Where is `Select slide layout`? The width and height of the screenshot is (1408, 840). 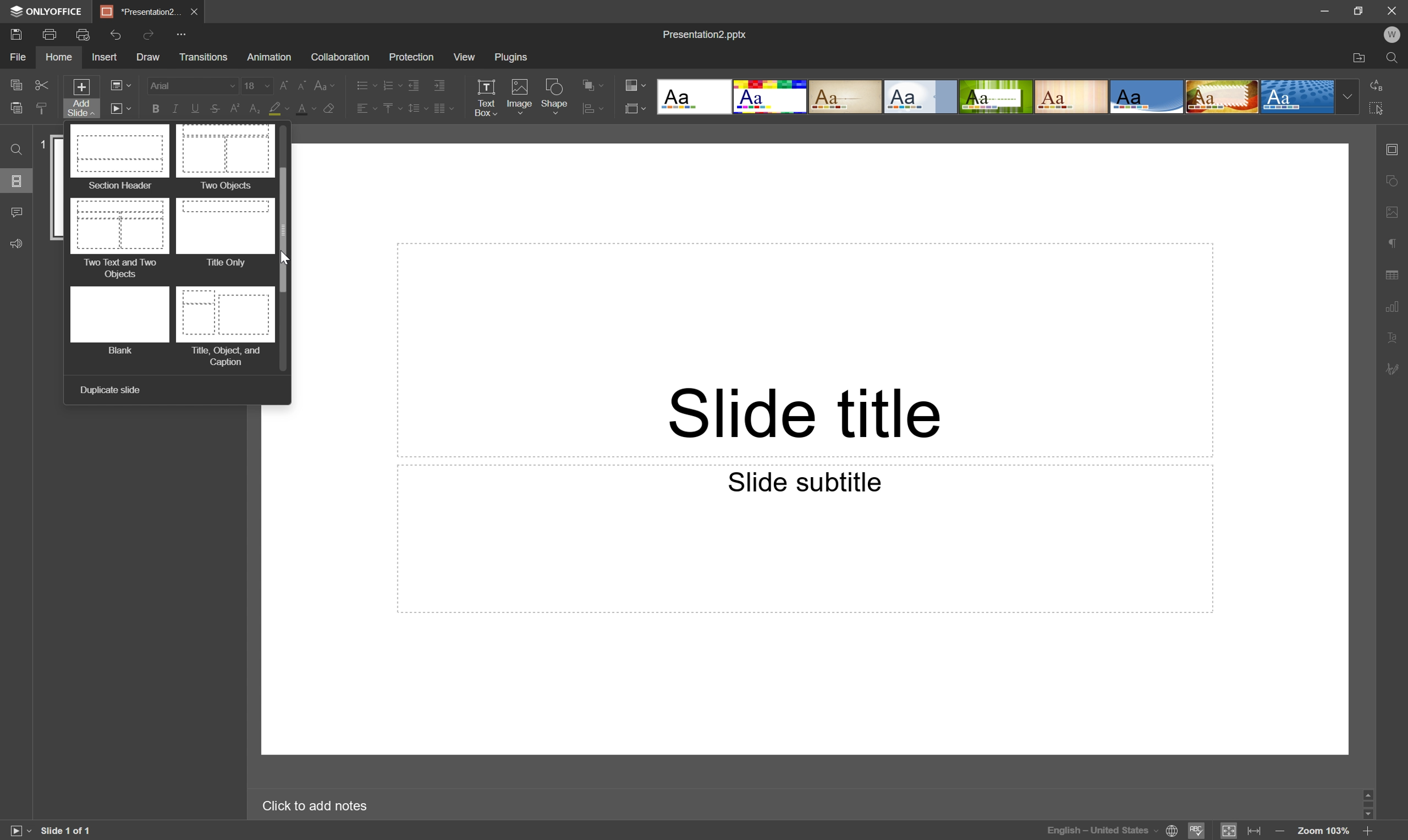 Select slide layout is located at coordinates (636, 107).